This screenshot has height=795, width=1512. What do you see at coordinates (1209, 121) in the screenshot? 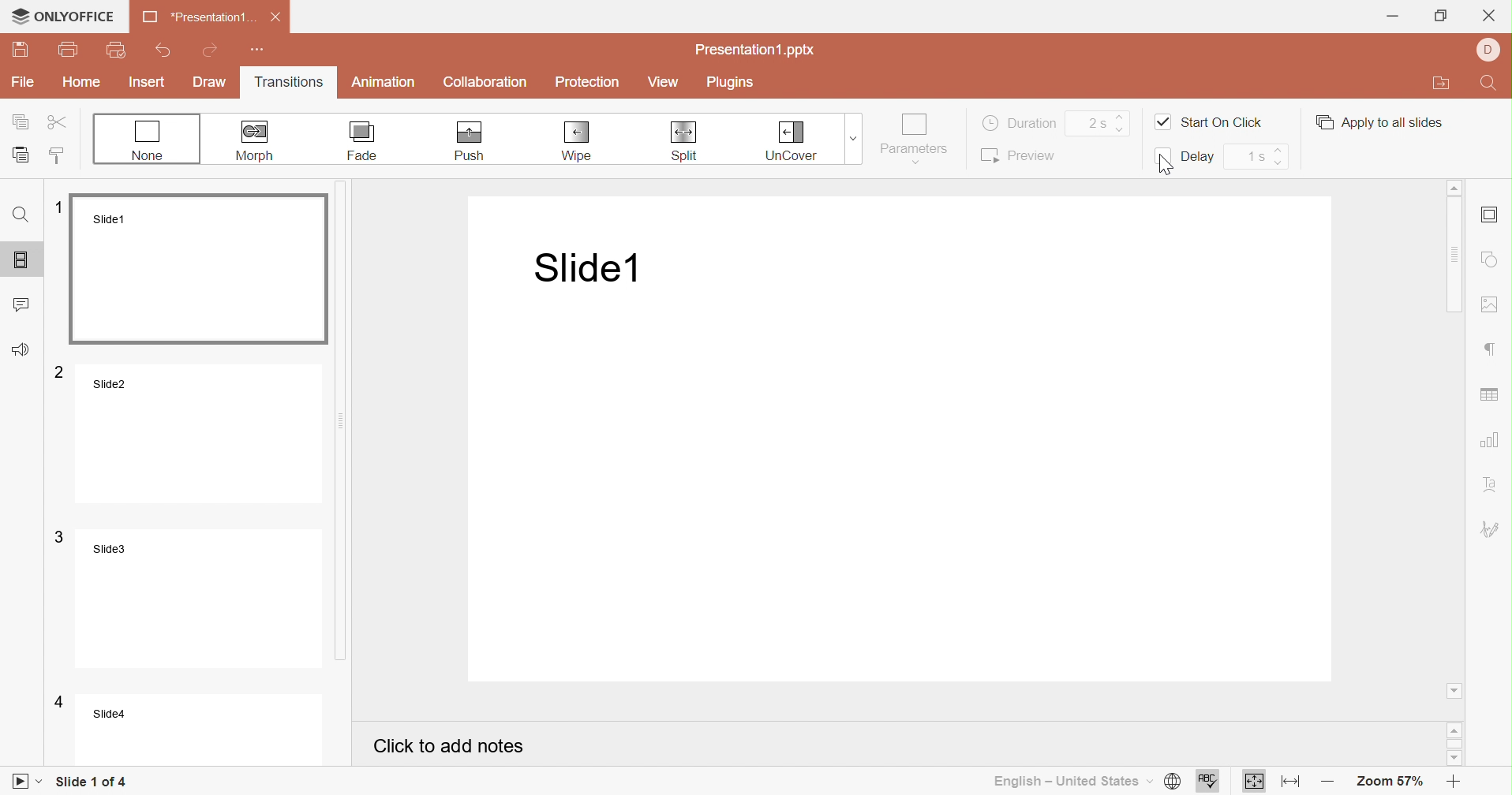
I see `Start on click` at bounding box center [1209, 121].